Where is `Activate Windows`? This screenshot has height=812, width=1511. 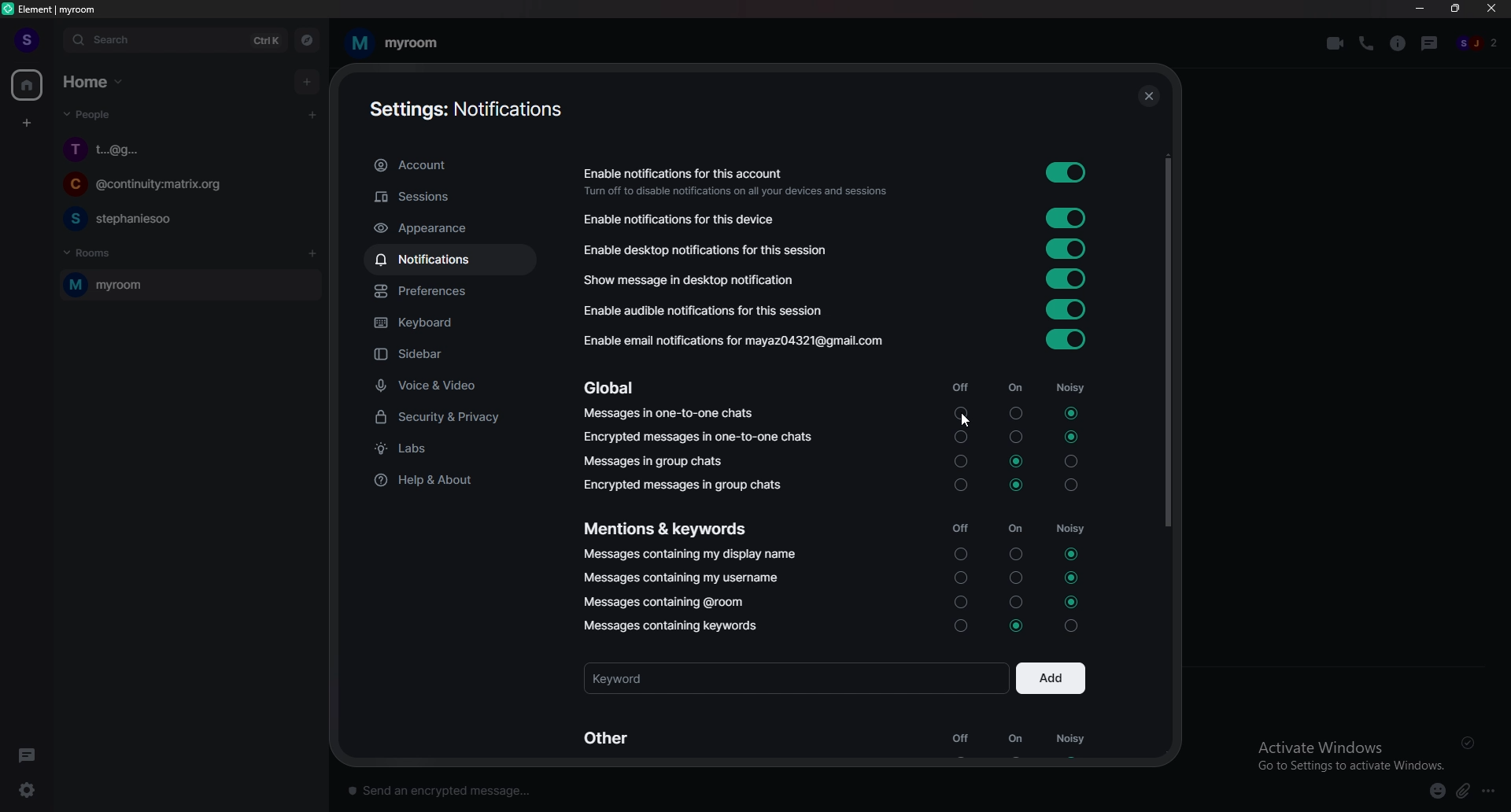 Activate Windows is located at coordinates (1349, 750).